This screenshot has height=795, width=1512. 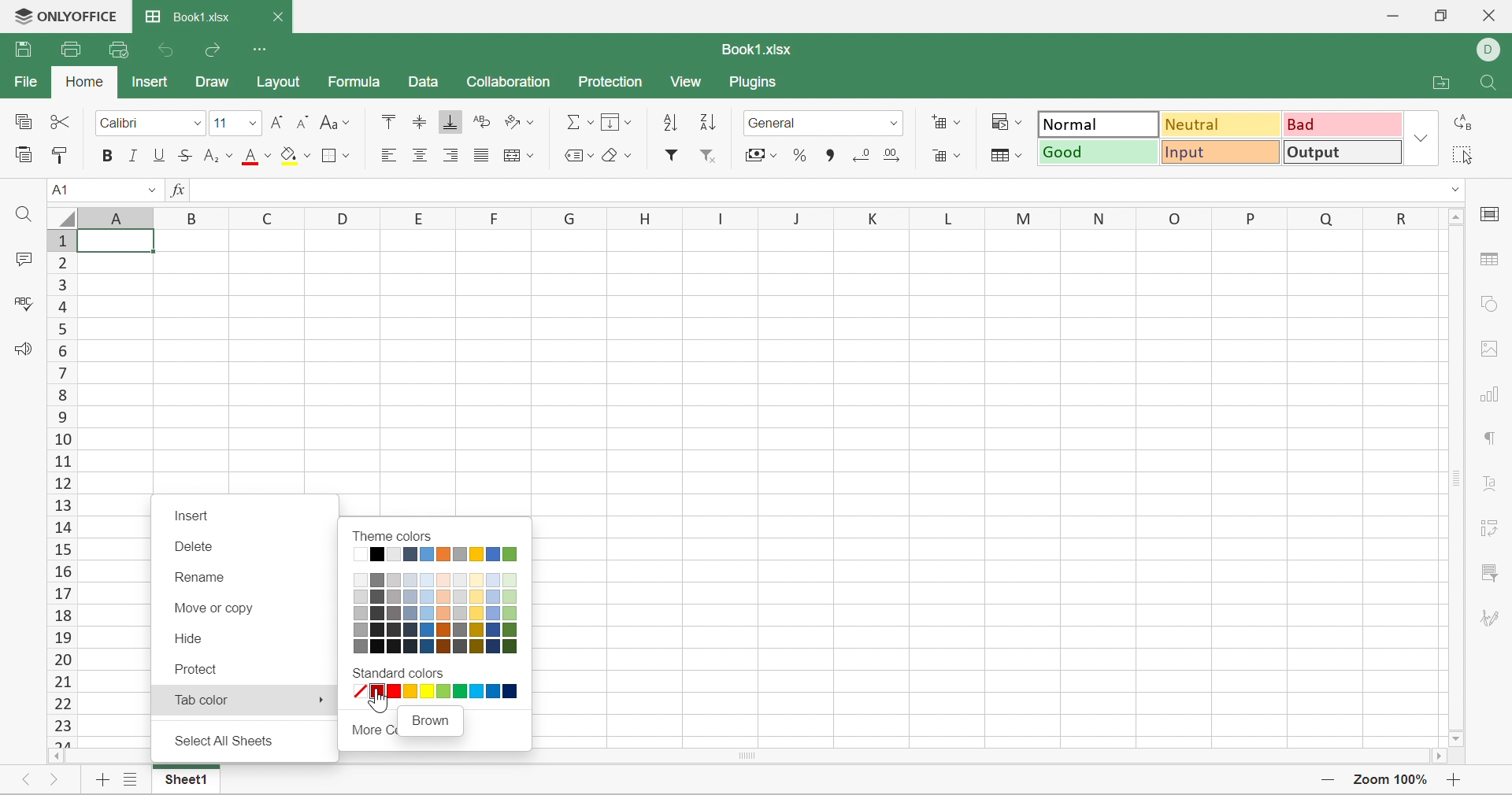 What do you see at coordinates (1343, 124) in the screenshot?
I see `Bad` at bounding box center [1343, 124].